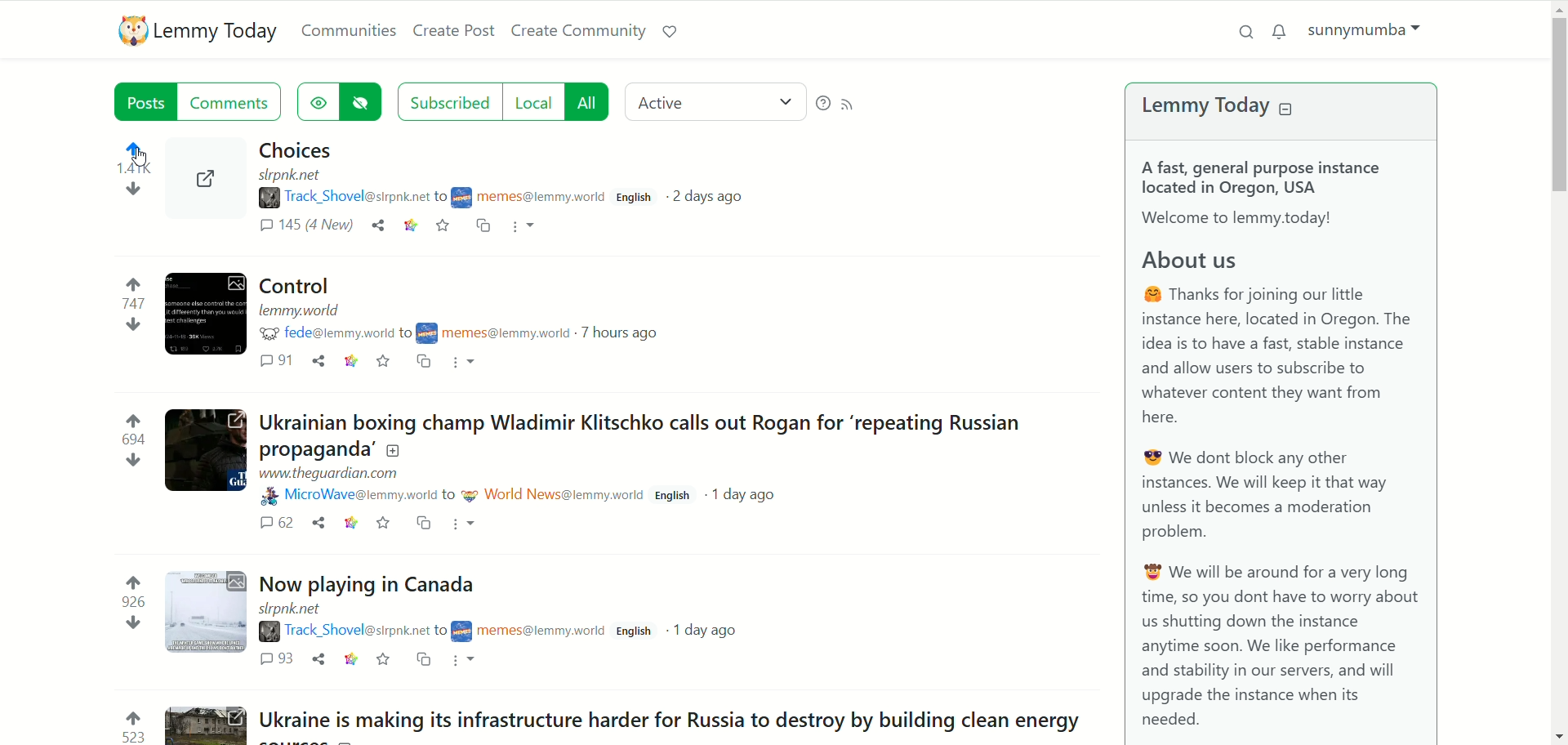 This screenshot has width=1568, height=745. I want to click on share, so click(381, 228).